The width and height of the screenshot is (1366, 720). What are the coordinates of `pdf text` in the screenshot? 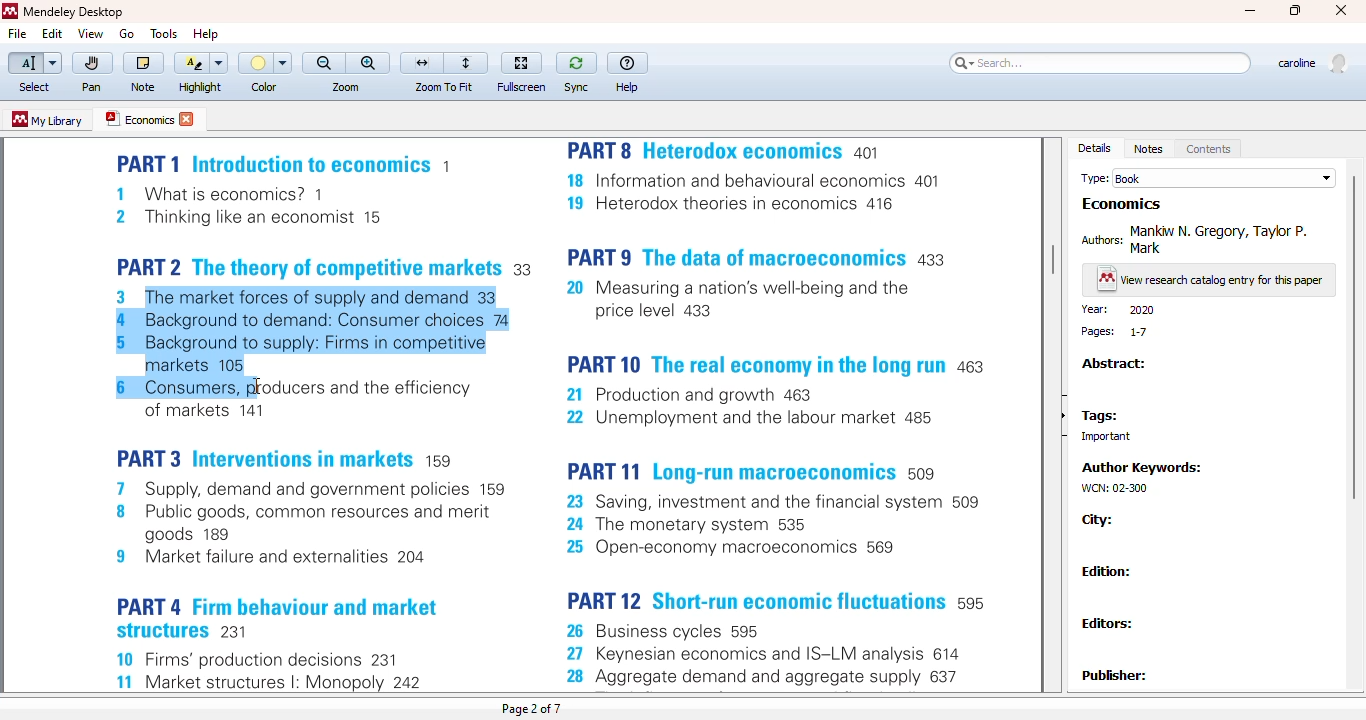 It's located at (553, 417).